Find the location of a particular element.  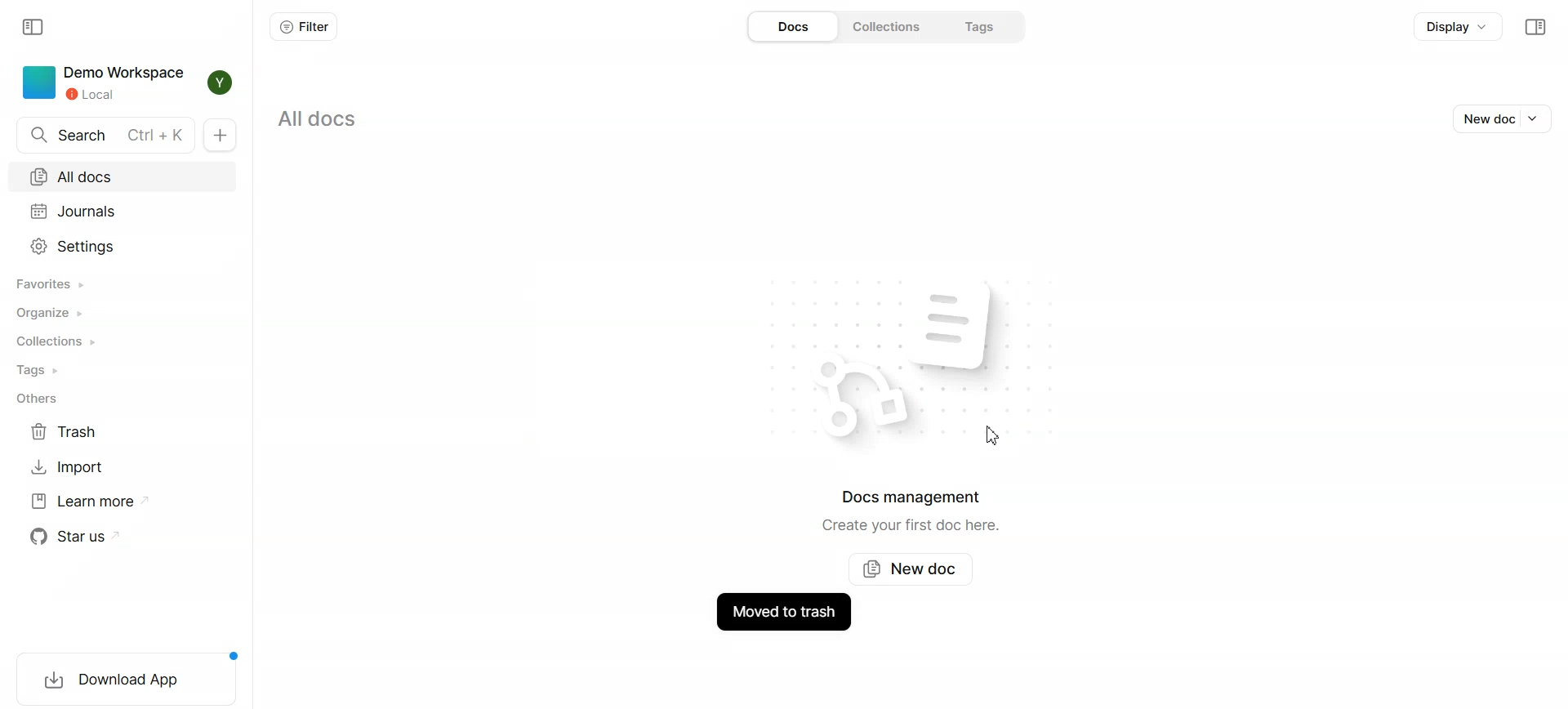

Tags is located at coordinates (987, 26).